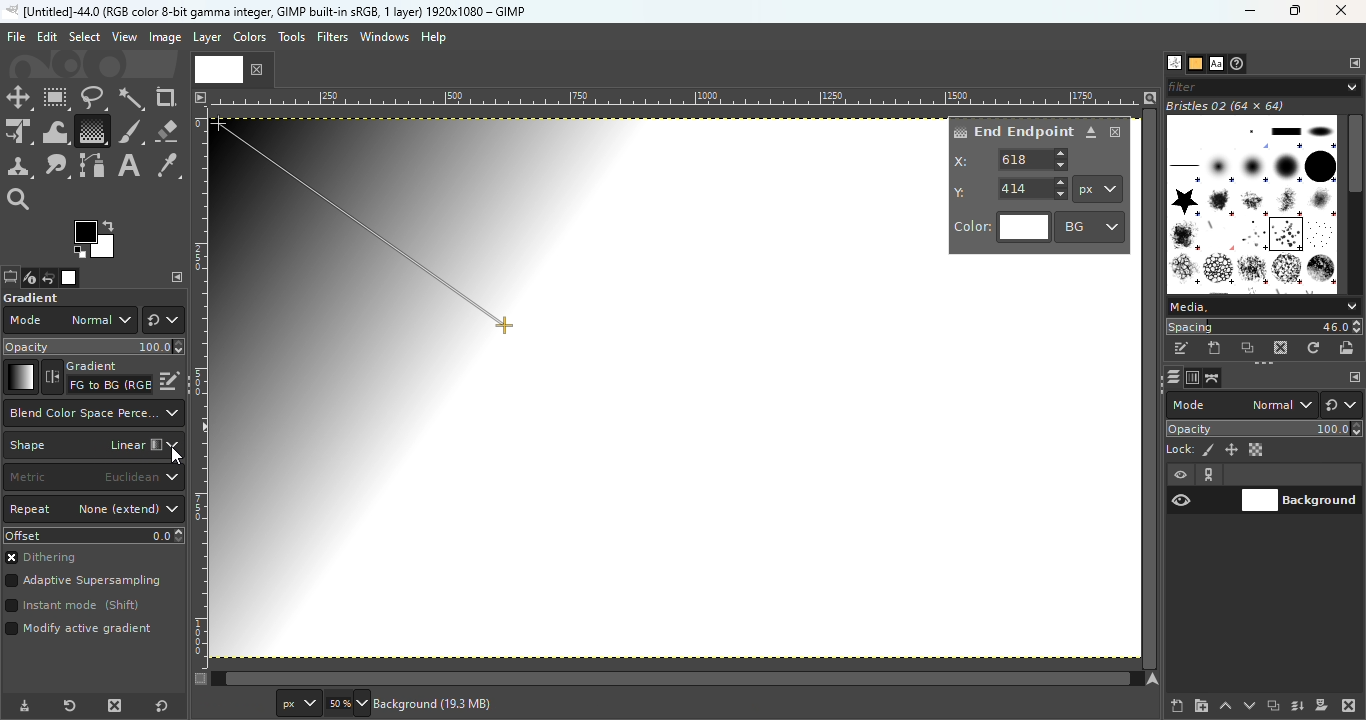  What do you see at coordinates (1226, 706) in the screenshot?
I see `Raise this layer one step in the layer stack` at bounding box center [1226, 706].